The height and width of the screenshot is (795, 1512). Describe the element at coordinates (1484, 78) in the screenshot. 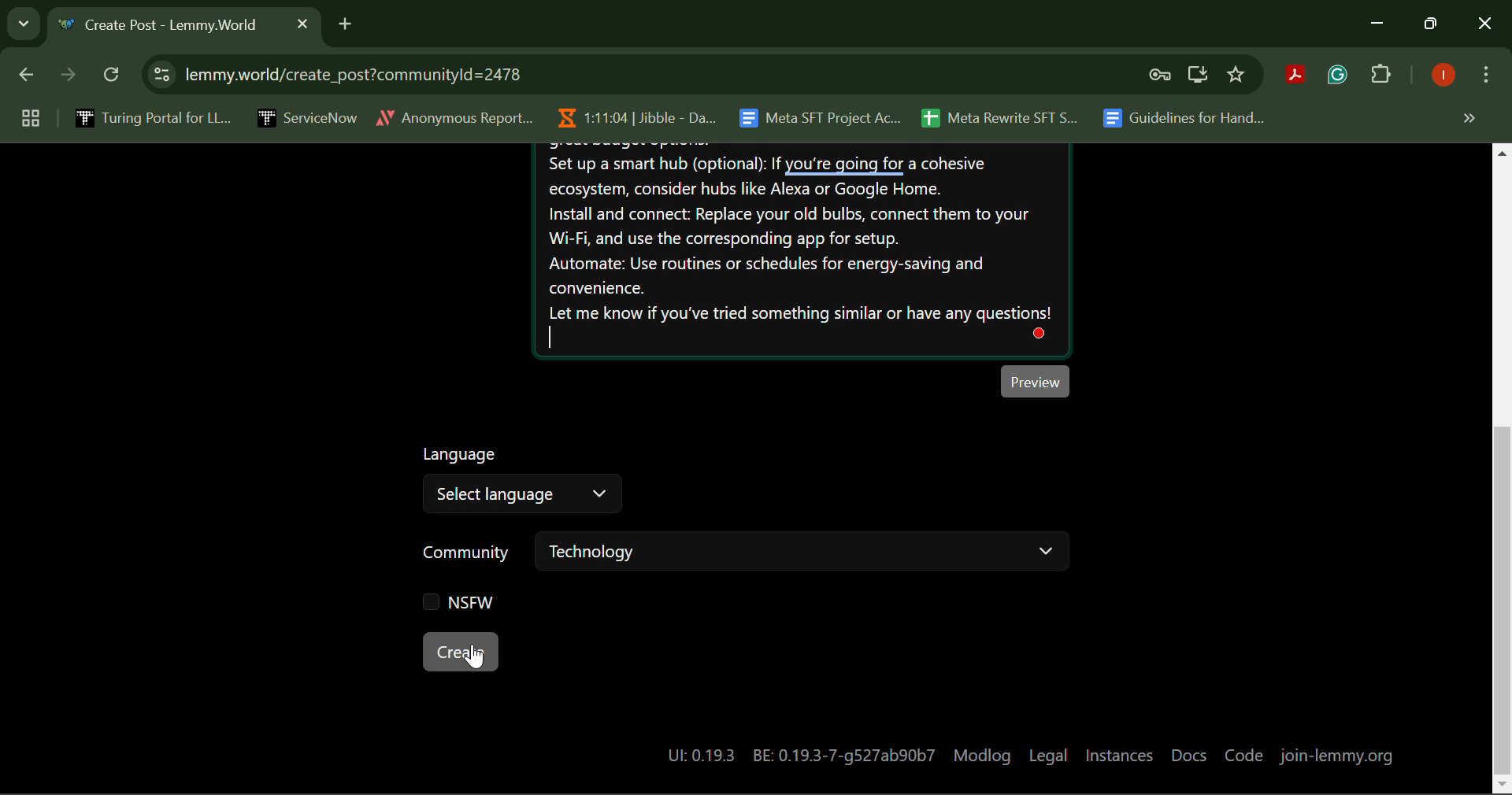

I see `More Options` at that location.